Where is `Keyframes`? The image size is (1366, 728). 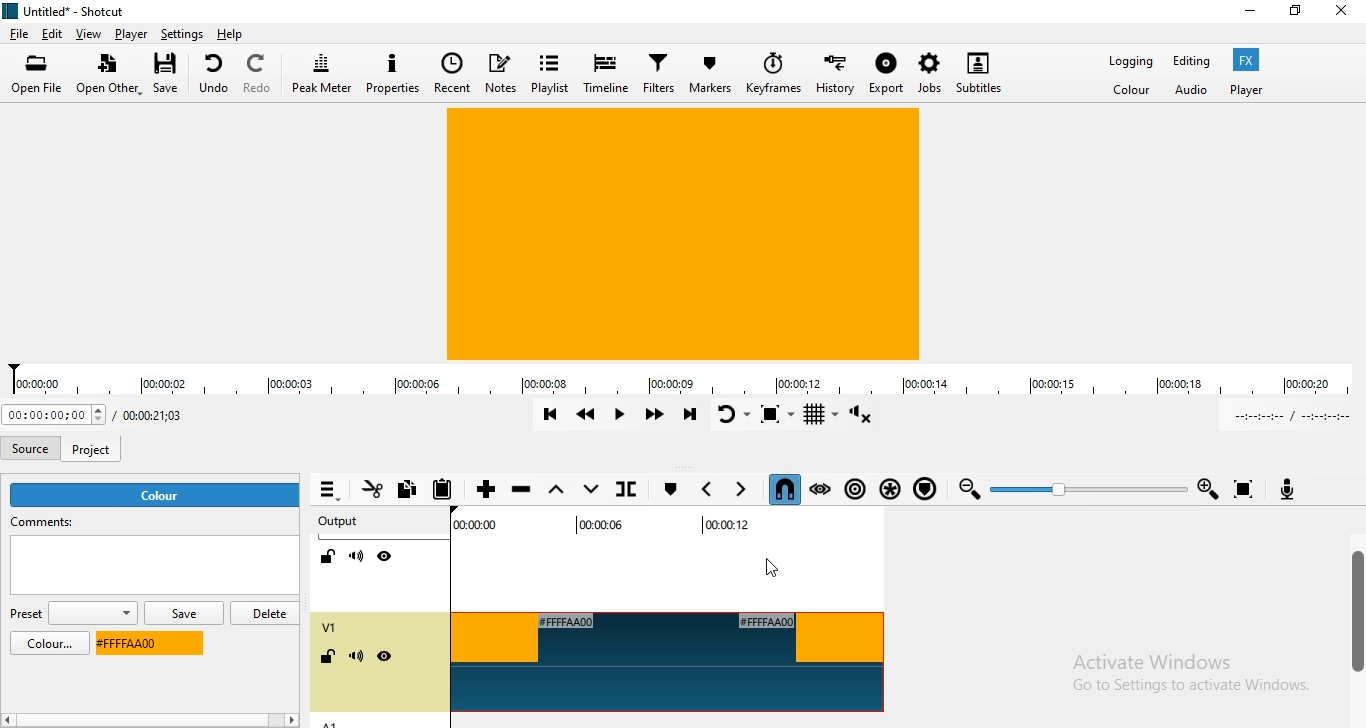 Keyframes is located at coordinates (774, 78).